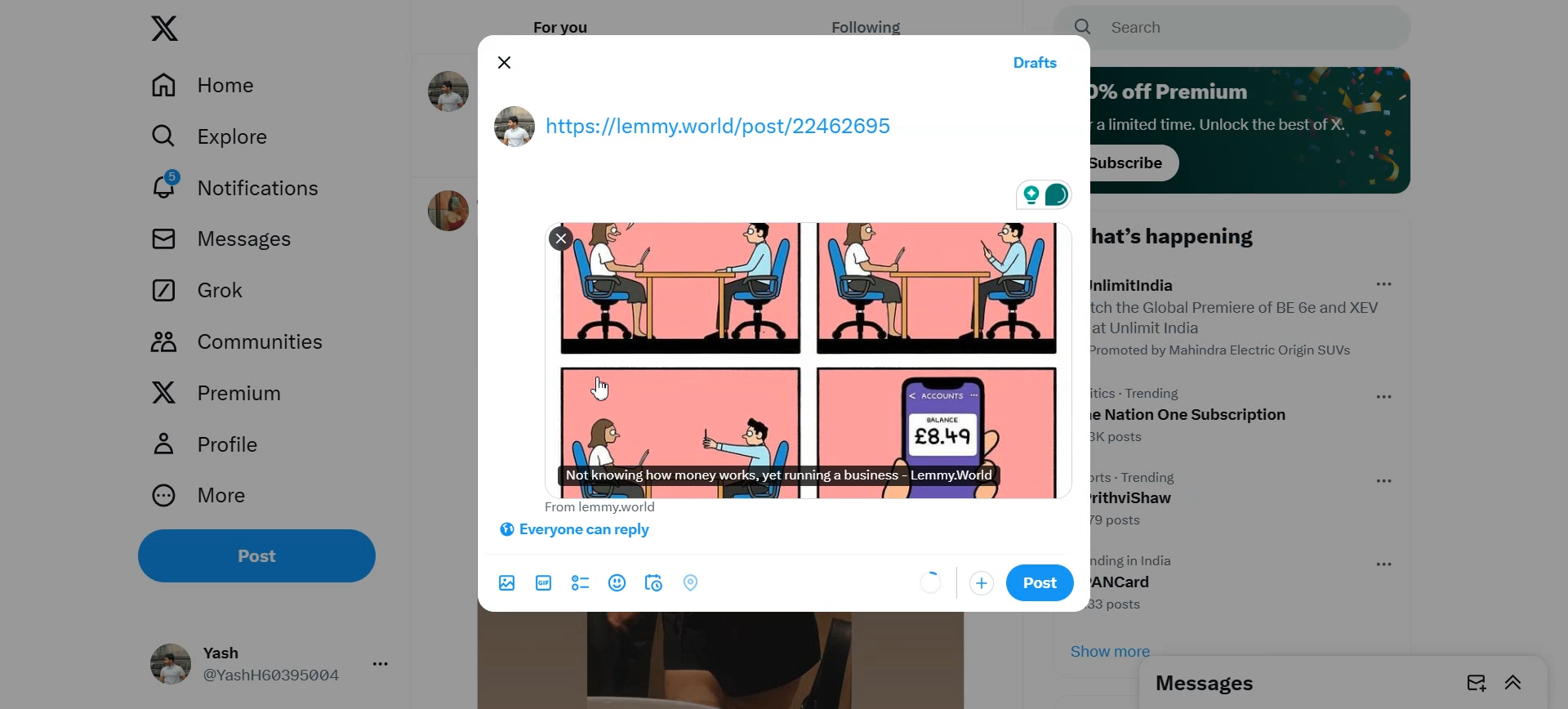 This screenshot has width=1568, height=709. Describe the element at coordinates (931, 582) in the screenshot. I see `Overview` at that location.